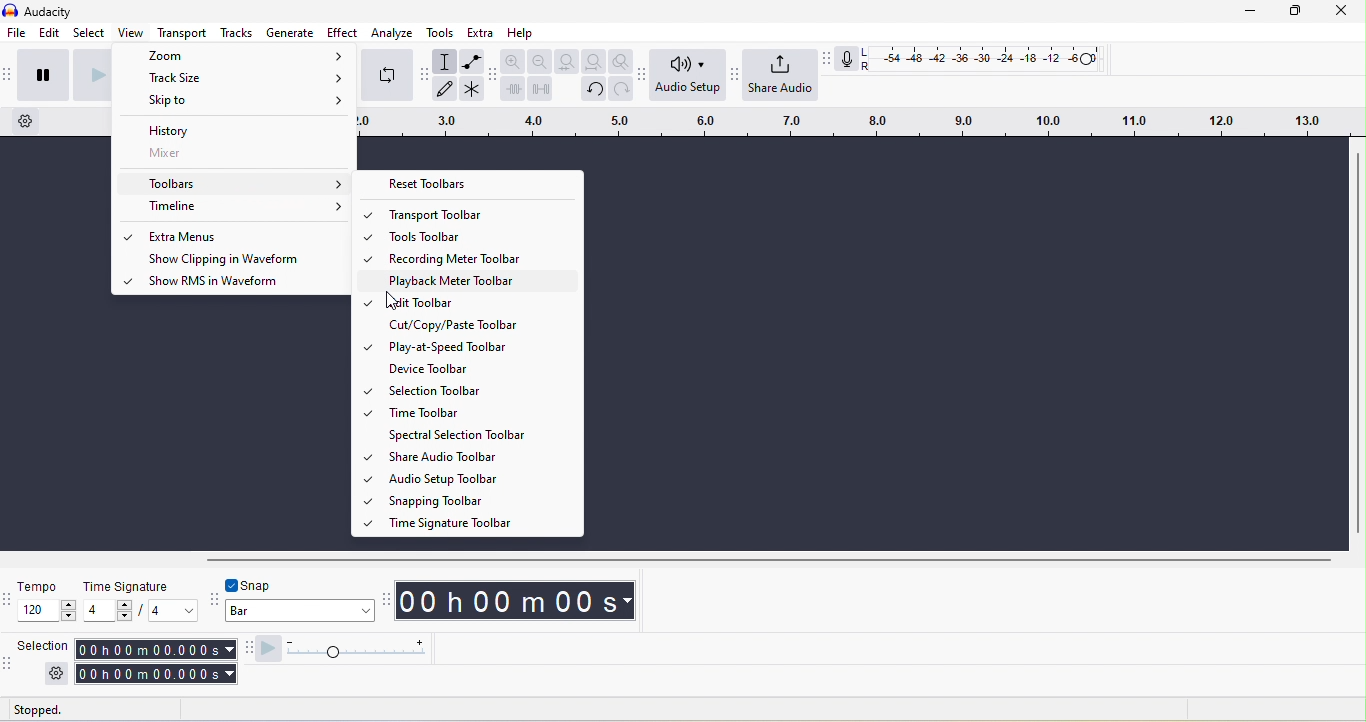 The width and height of the screenshot is (1366, 722). I want to click on Mixer , so click(234, 153).